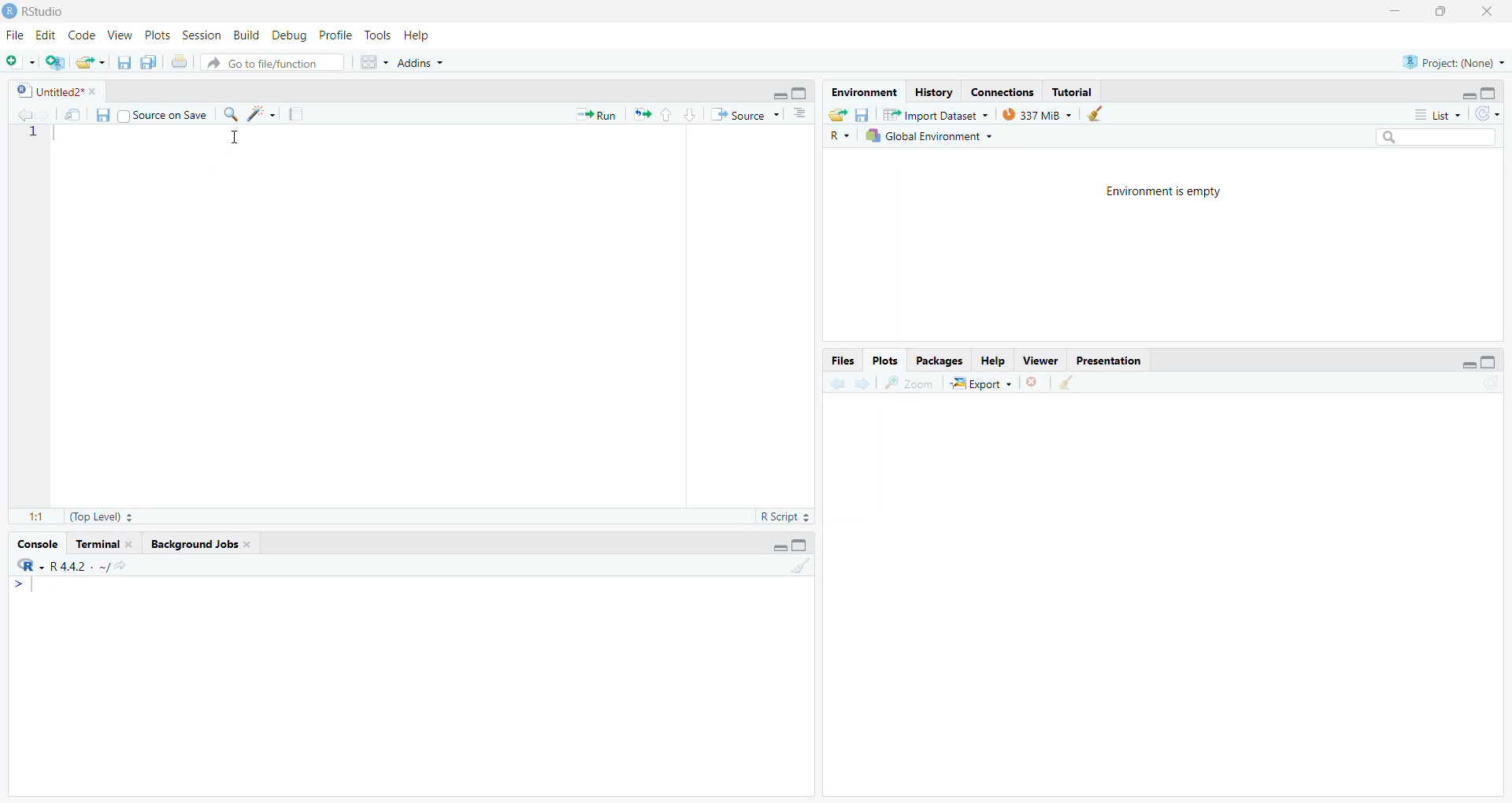 Image resolution: width=1512 pixels, height=803 pixels. Describe the element at coordinates (59, 92) in the screenshot. I see ` Untitled2*` at that location.